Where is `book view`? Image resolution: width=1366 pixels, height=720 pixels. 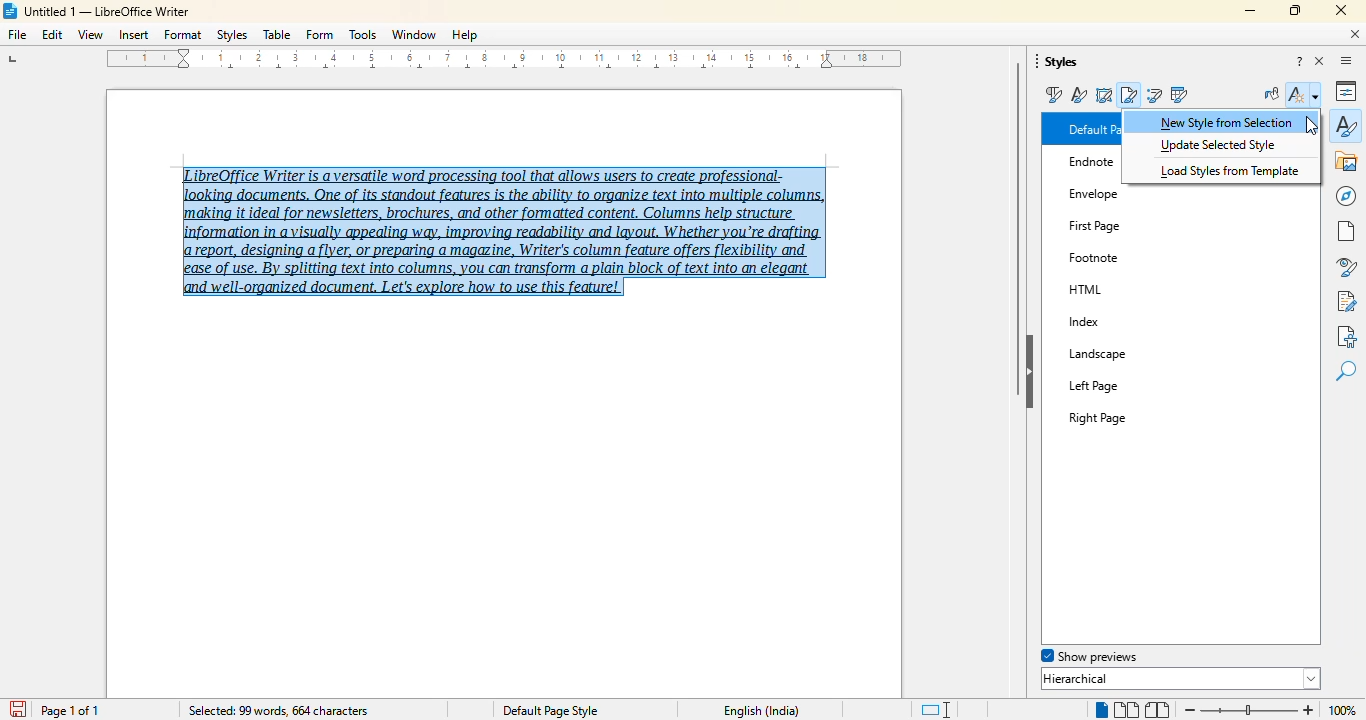 book view is located at coordinates (1157, 710).